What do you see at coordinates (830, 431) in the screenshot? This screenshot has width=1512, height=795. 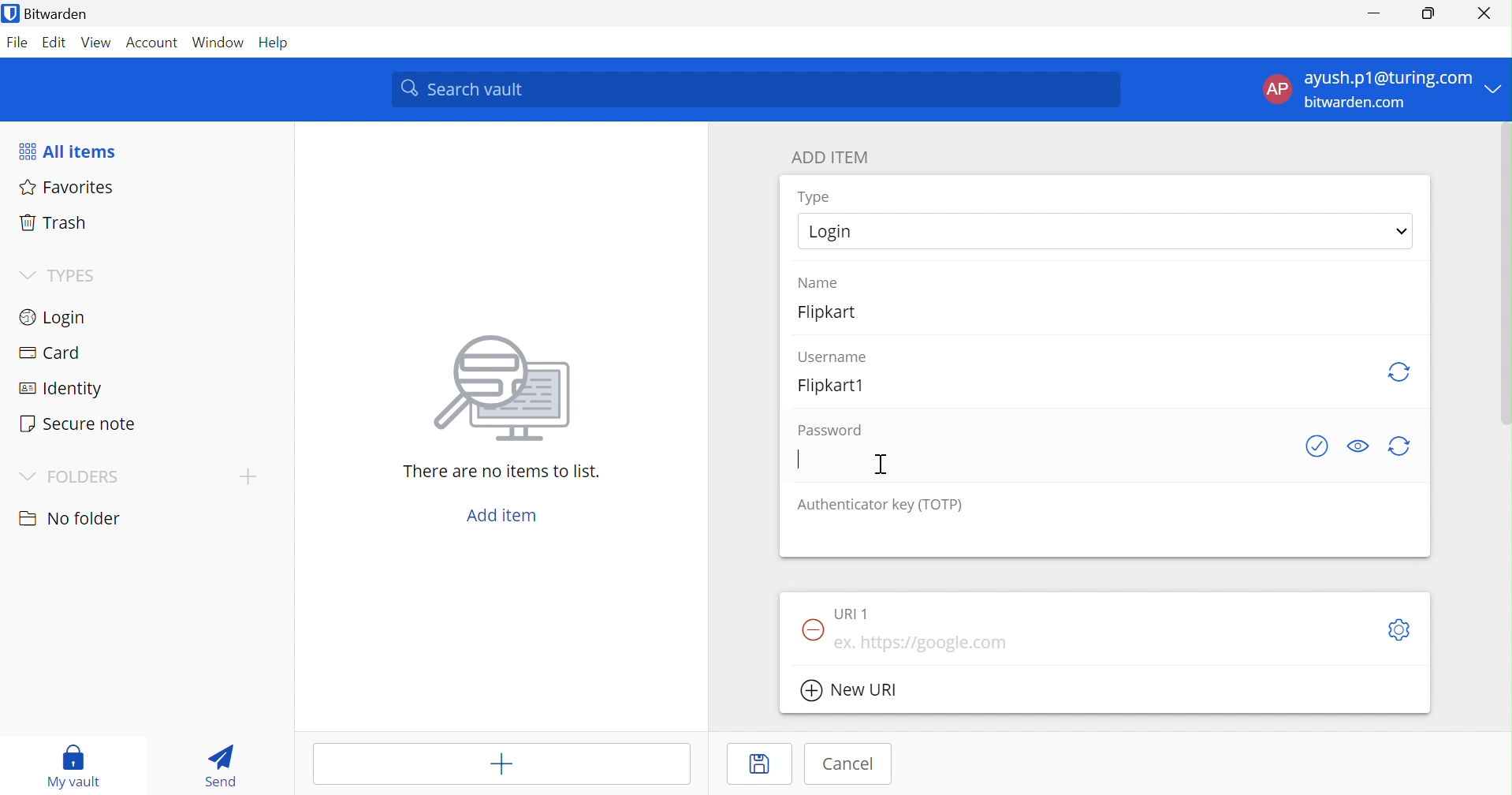 I see `Password` at bounding box center [830, 431].